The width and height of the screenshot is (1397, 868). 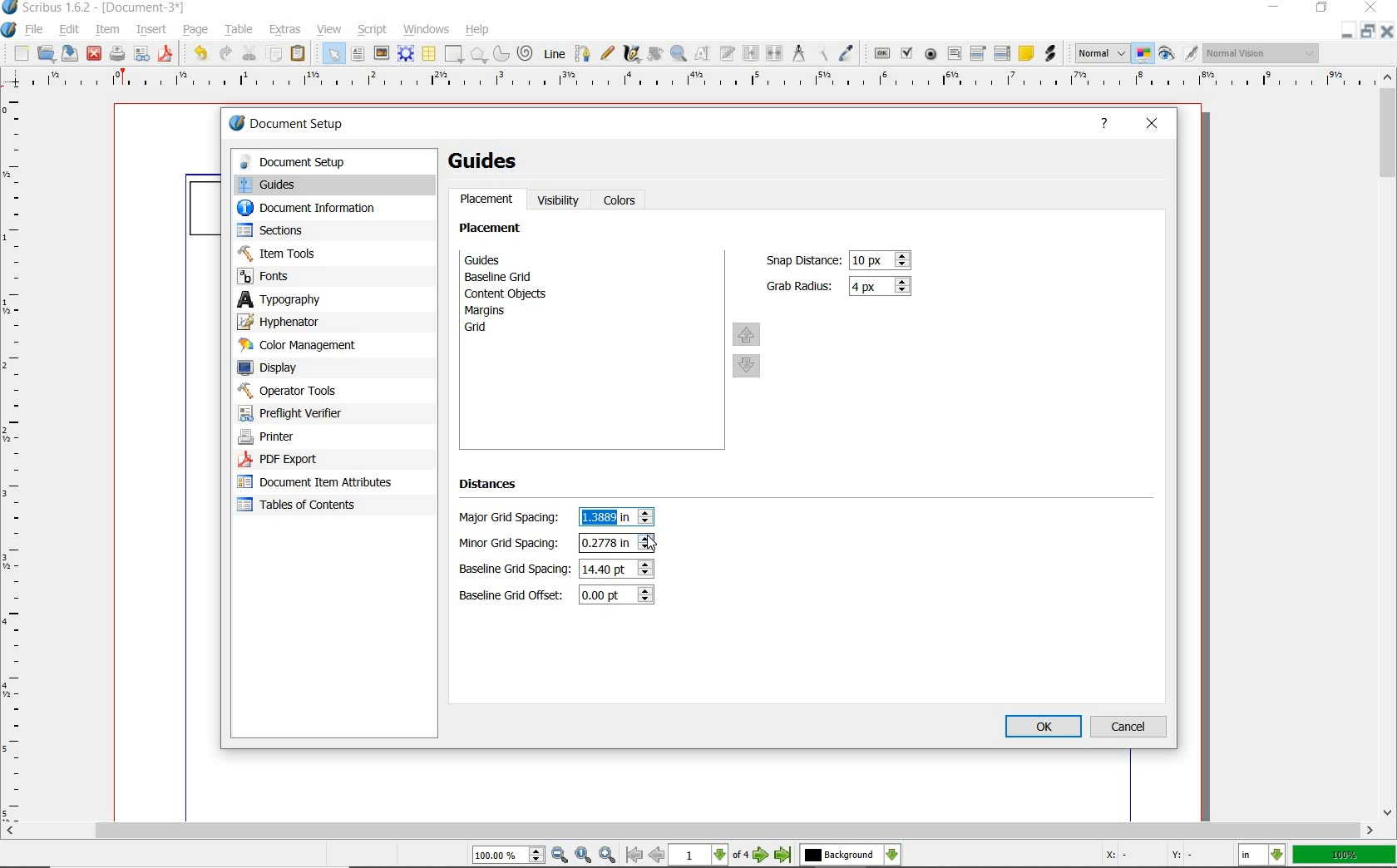 What do you see at coordinates (510, 855) in the screenshot?
I see `select current zoom level` at bounding box center [510, 855].